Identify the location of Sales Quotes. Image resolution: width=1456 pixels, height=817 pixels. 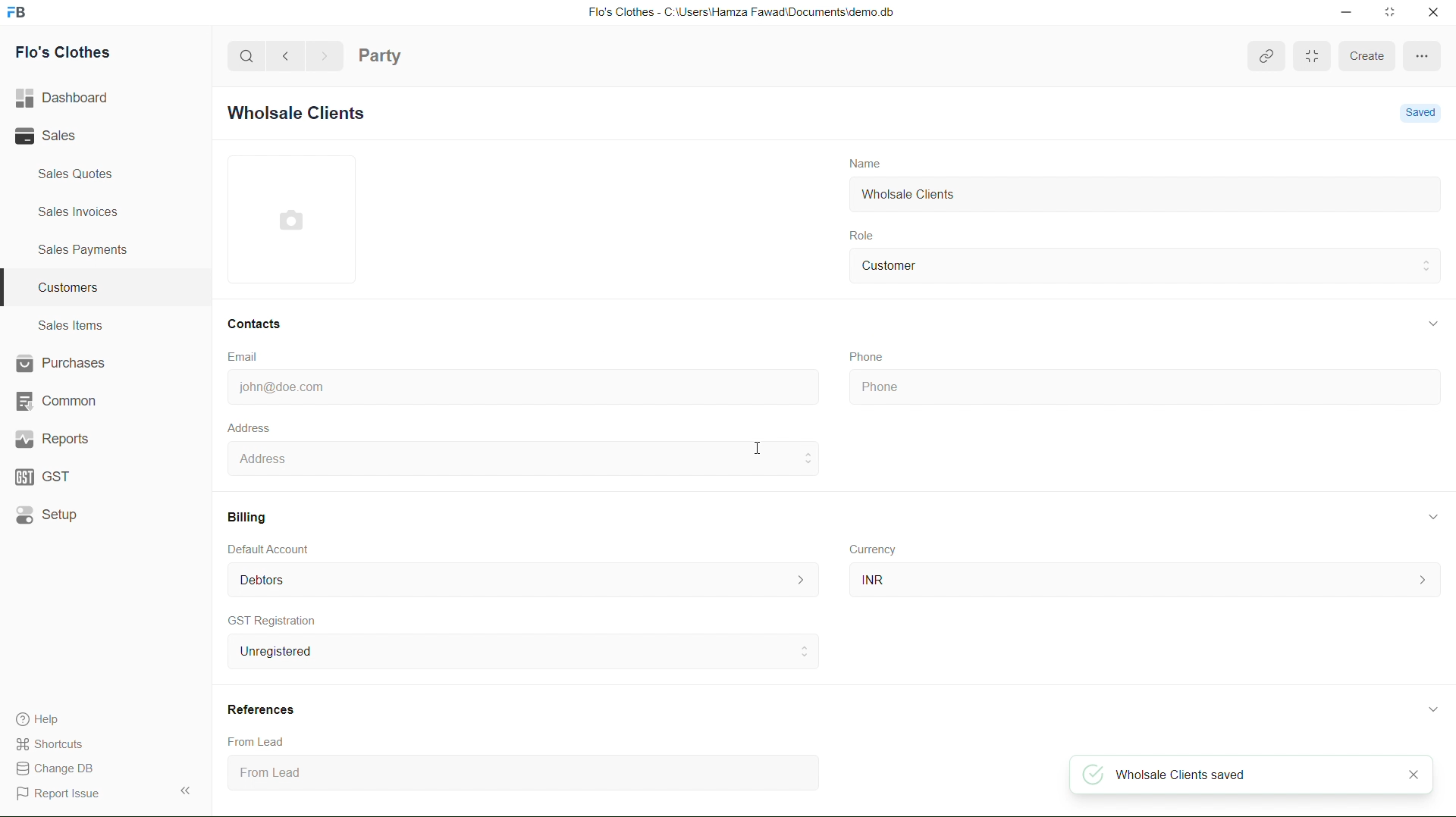
(73, 175).